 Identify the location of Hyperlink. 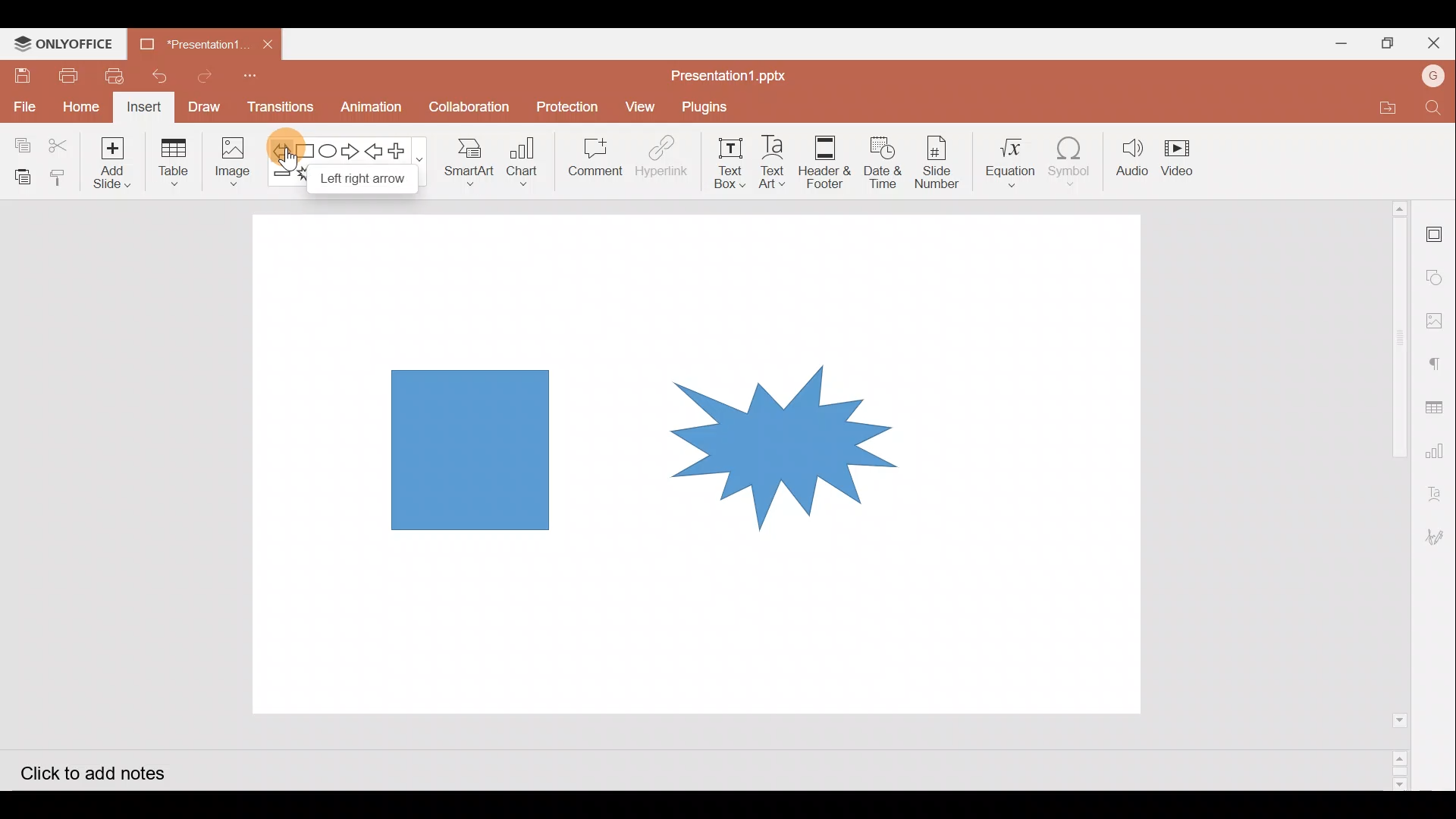
(666, 159).